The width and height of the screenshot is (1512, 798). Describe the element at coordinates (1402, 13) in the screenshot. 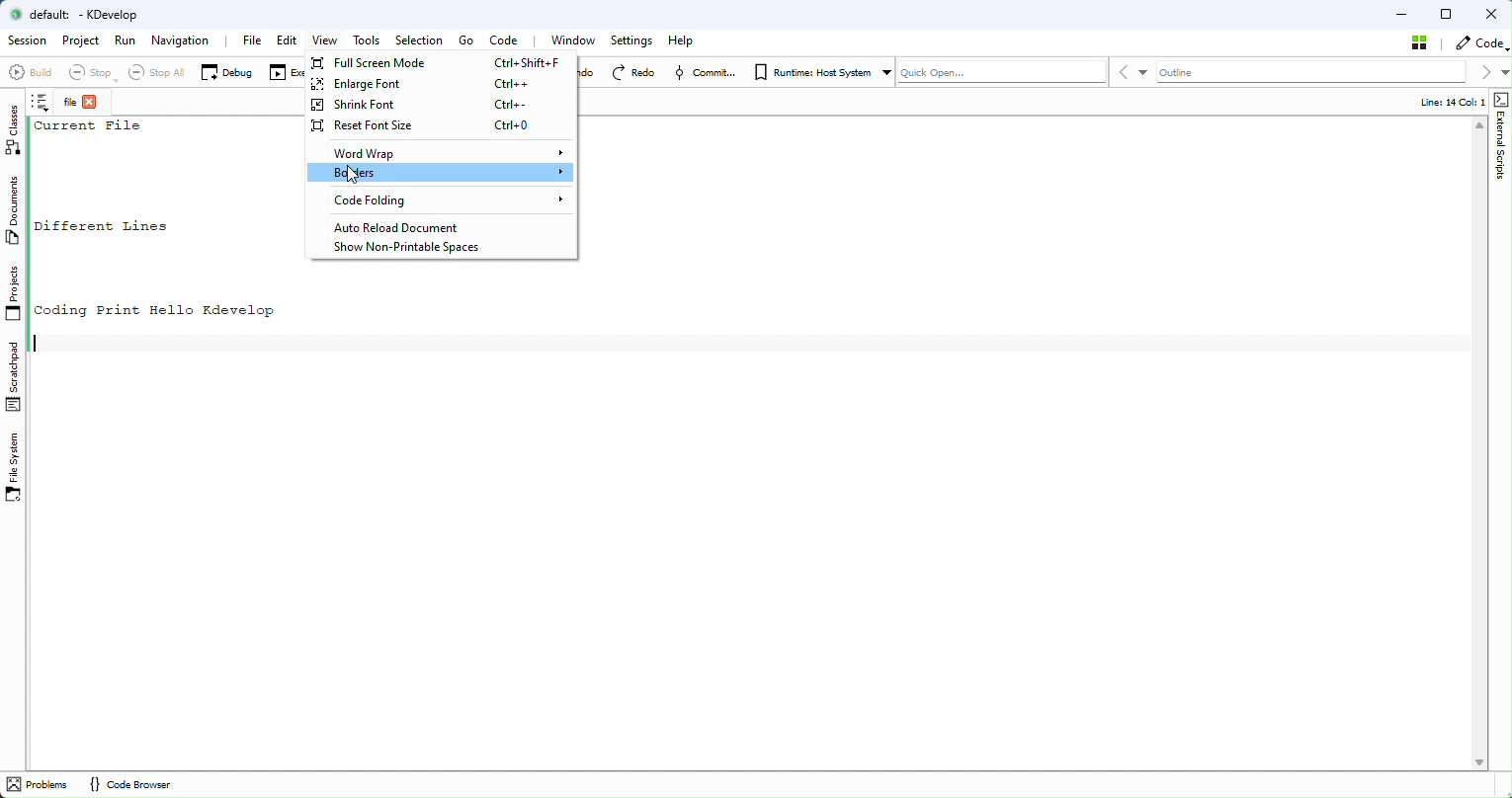

I see `Minimize` at that location.